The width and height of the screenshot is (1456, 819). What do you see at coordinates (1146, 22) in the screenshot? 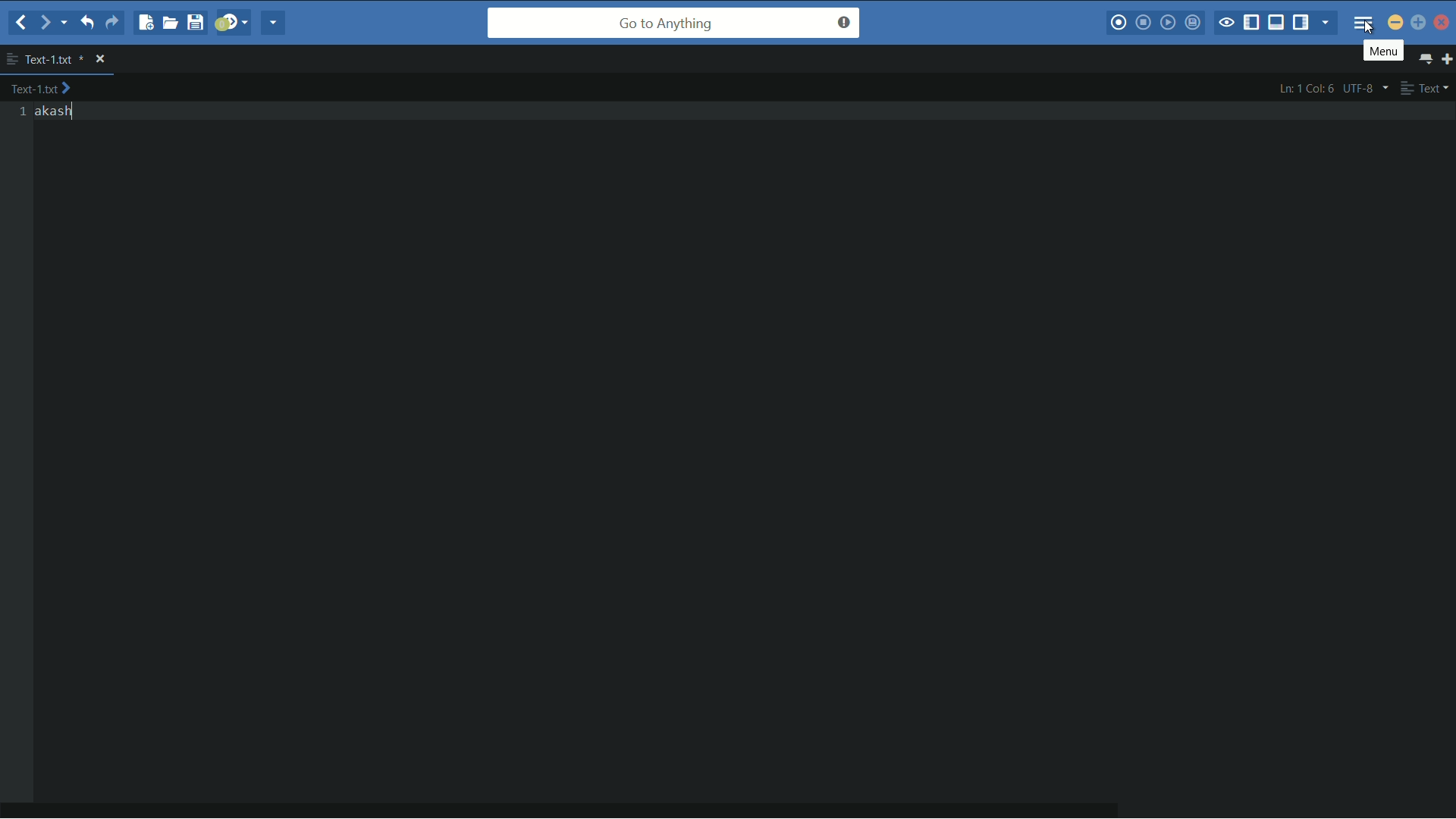
I see `stop macro` at bounding box center [1146, 22].